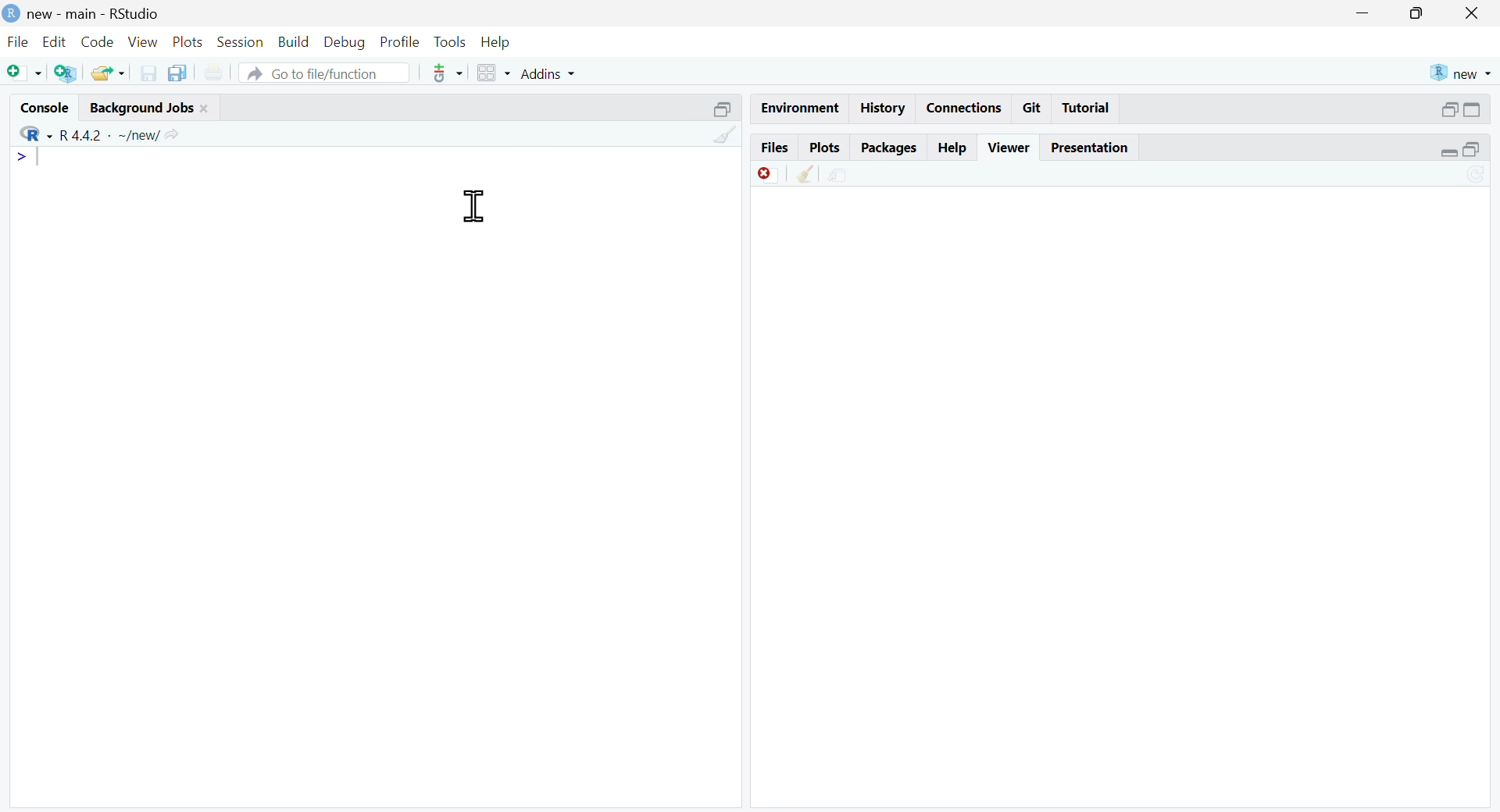 The image size is (1500, 812). Describe the element at coordinates (94, 15) in the screenshot. I see `new - main - RStudio` at that location.